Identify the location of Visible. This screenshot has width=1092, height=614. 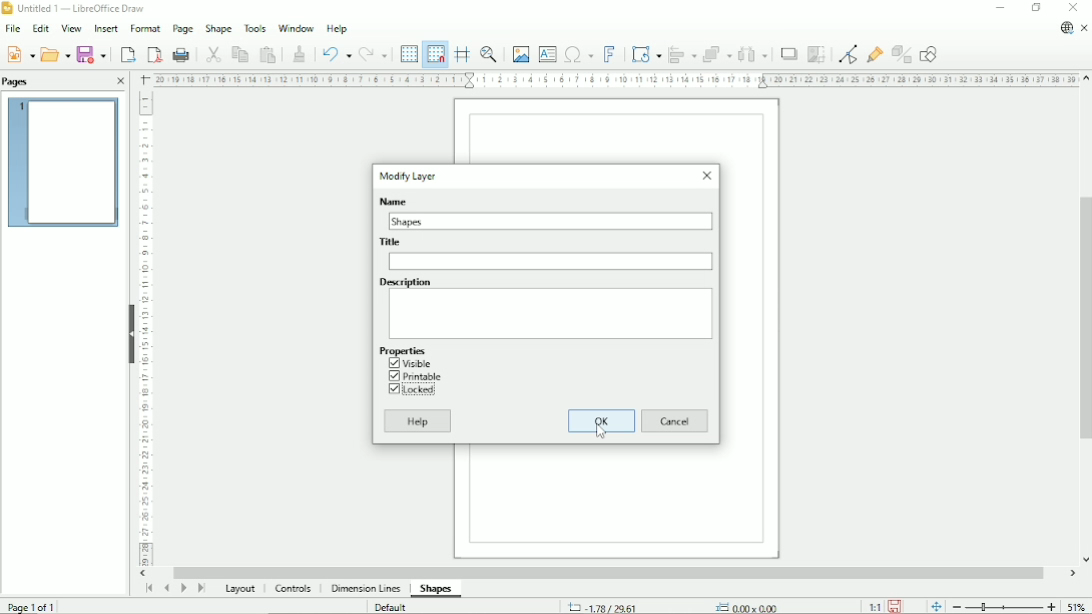
(411, 363).